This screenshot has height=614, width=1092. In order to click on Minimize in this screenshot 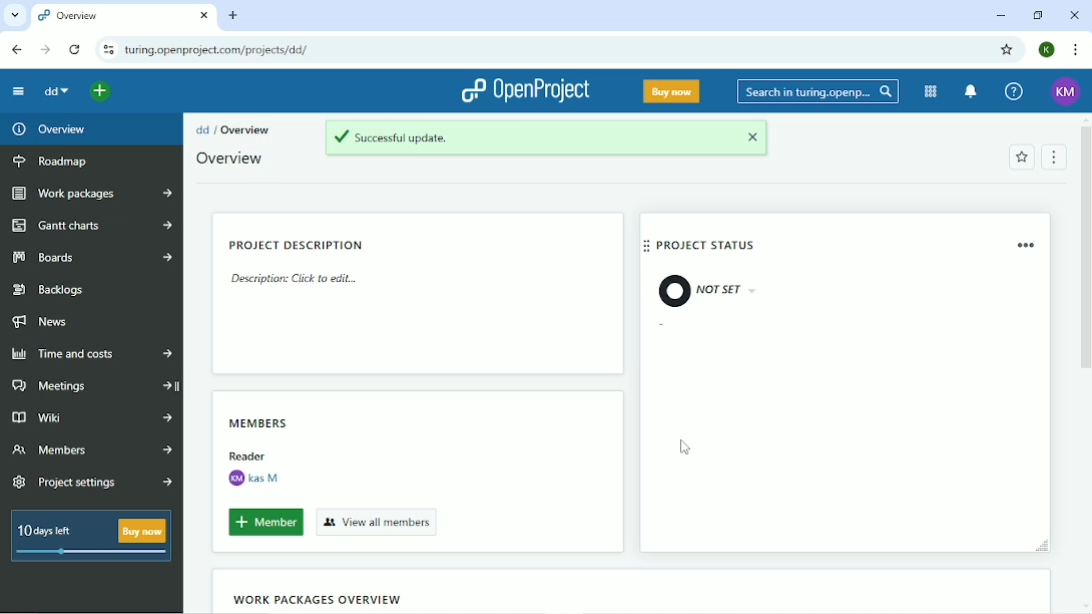, I will do `click(1000, 16)`.